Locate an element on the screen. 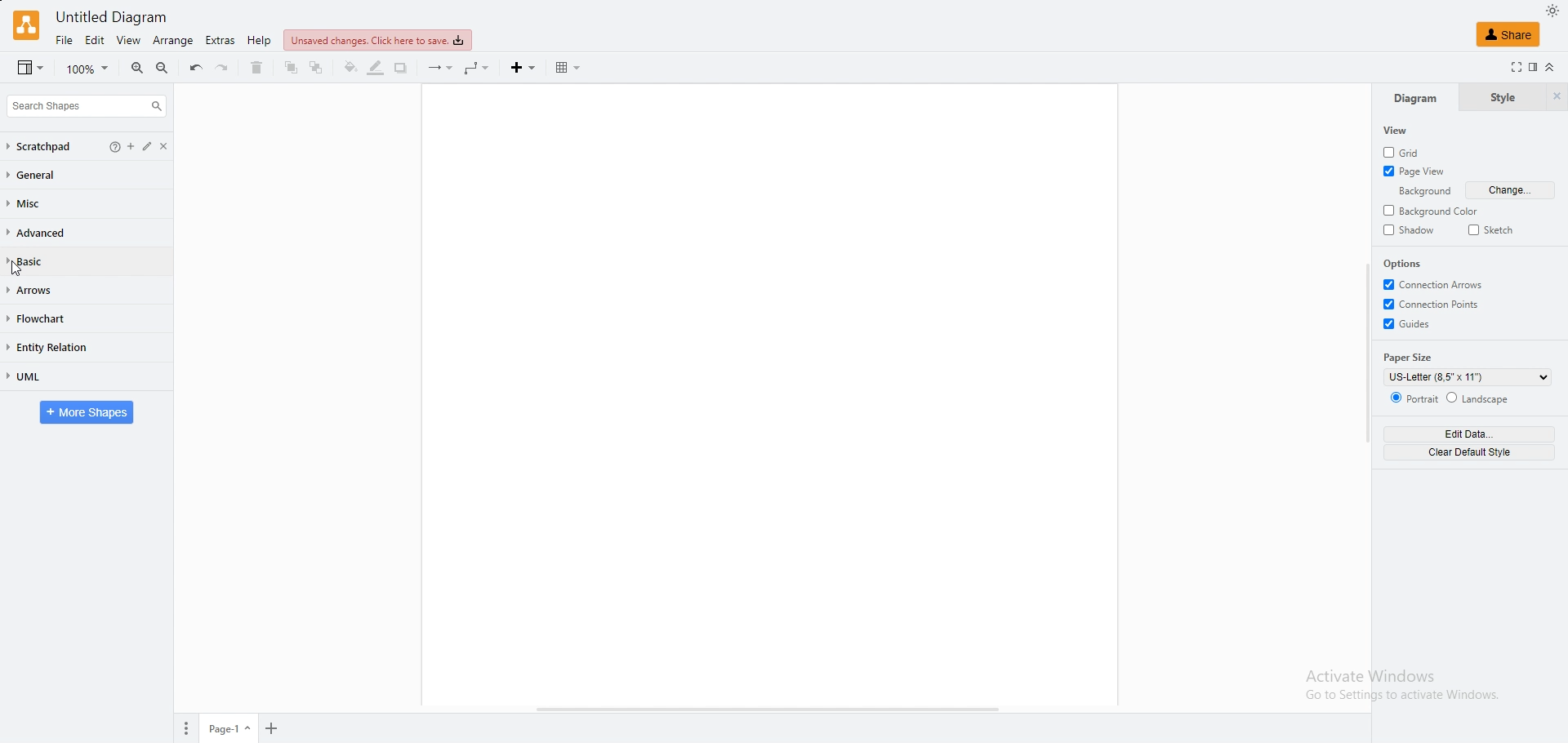  style is located at coordinates (1501, 98).